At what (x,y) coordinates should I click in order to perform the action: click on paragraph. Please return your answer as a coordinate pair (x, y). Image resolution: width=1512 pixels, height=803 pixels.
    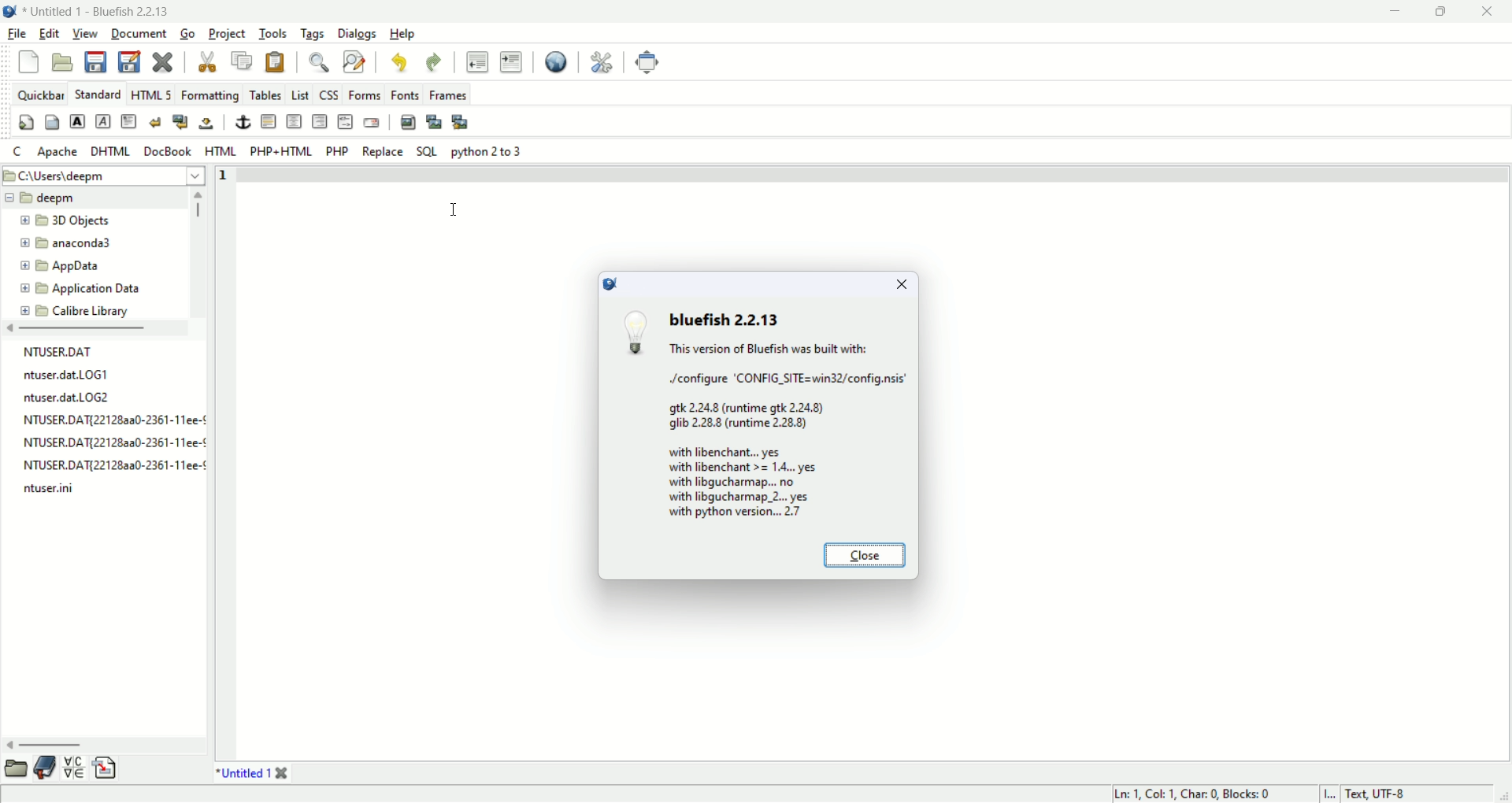
    Looking at the image, I should click on (128, 122).